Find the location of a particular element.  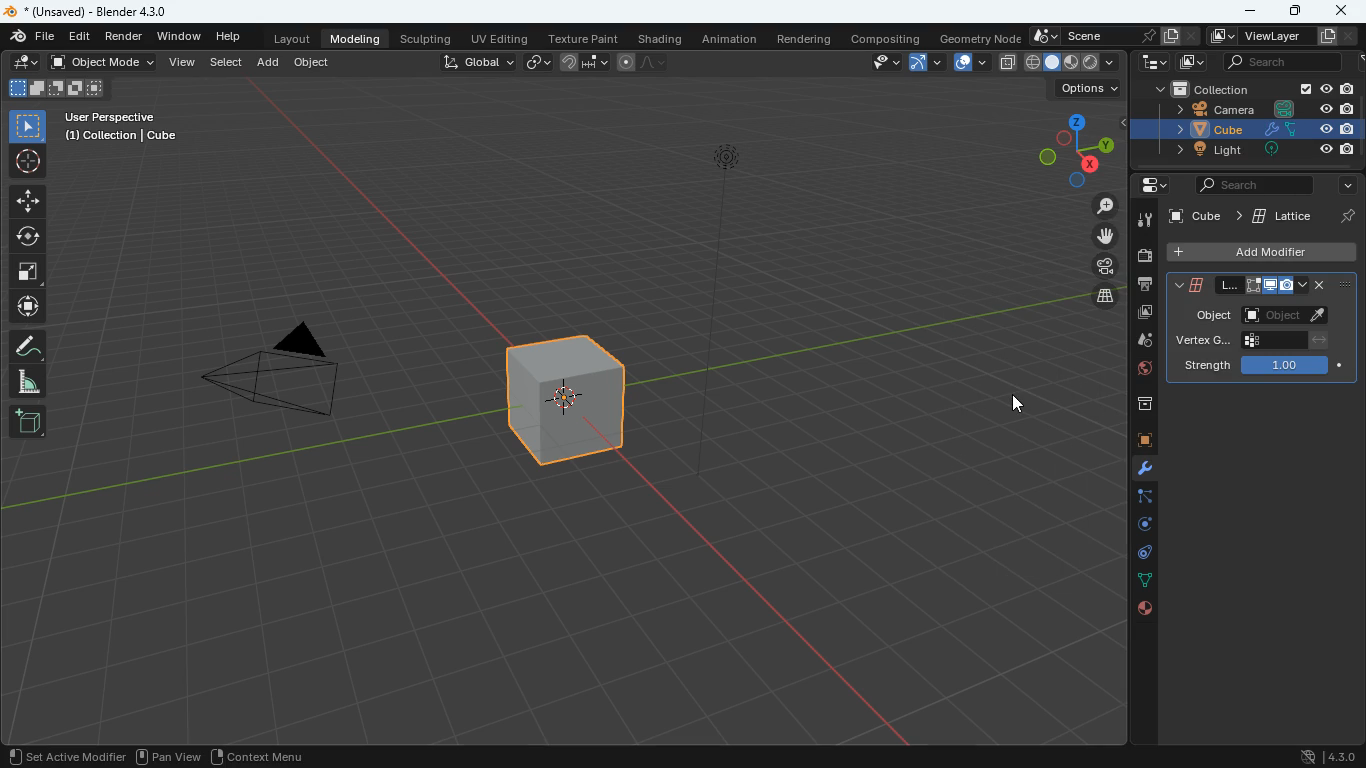

light is located at coordinates (727, 217).